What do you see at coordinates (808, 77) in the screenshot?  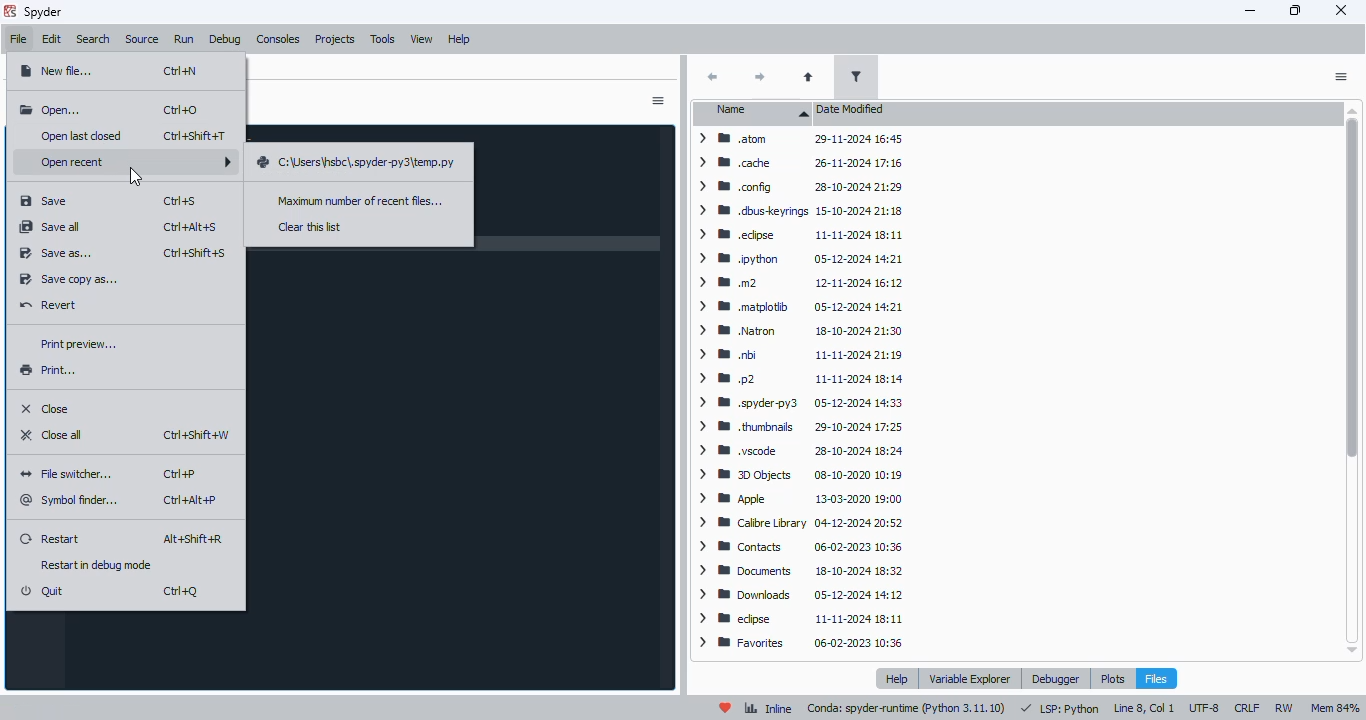 I see `parent` at bounding box center [808, 77].